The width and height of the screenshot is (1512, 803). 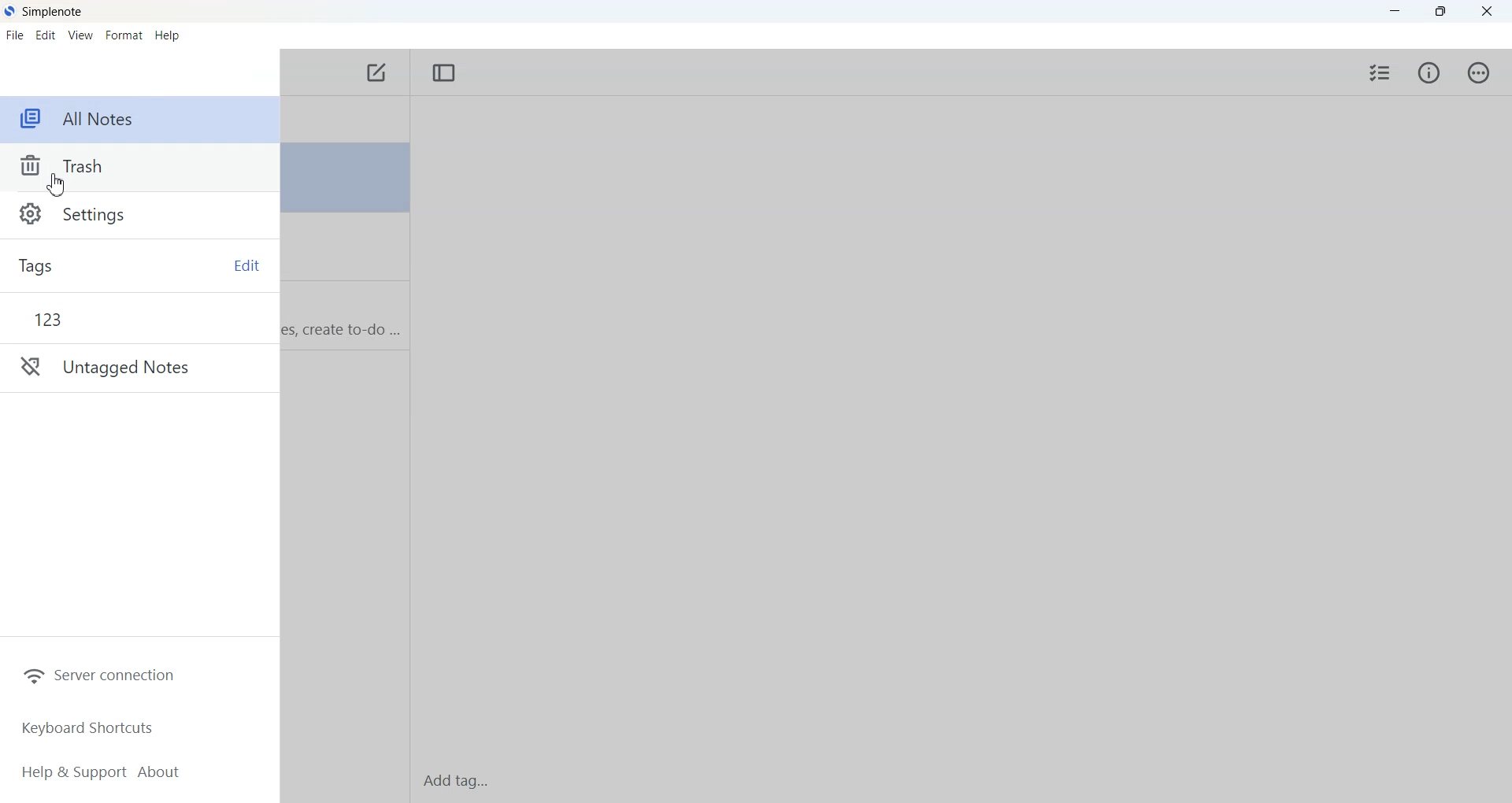 I want to click on Actions, so click(x=1479, y=72).